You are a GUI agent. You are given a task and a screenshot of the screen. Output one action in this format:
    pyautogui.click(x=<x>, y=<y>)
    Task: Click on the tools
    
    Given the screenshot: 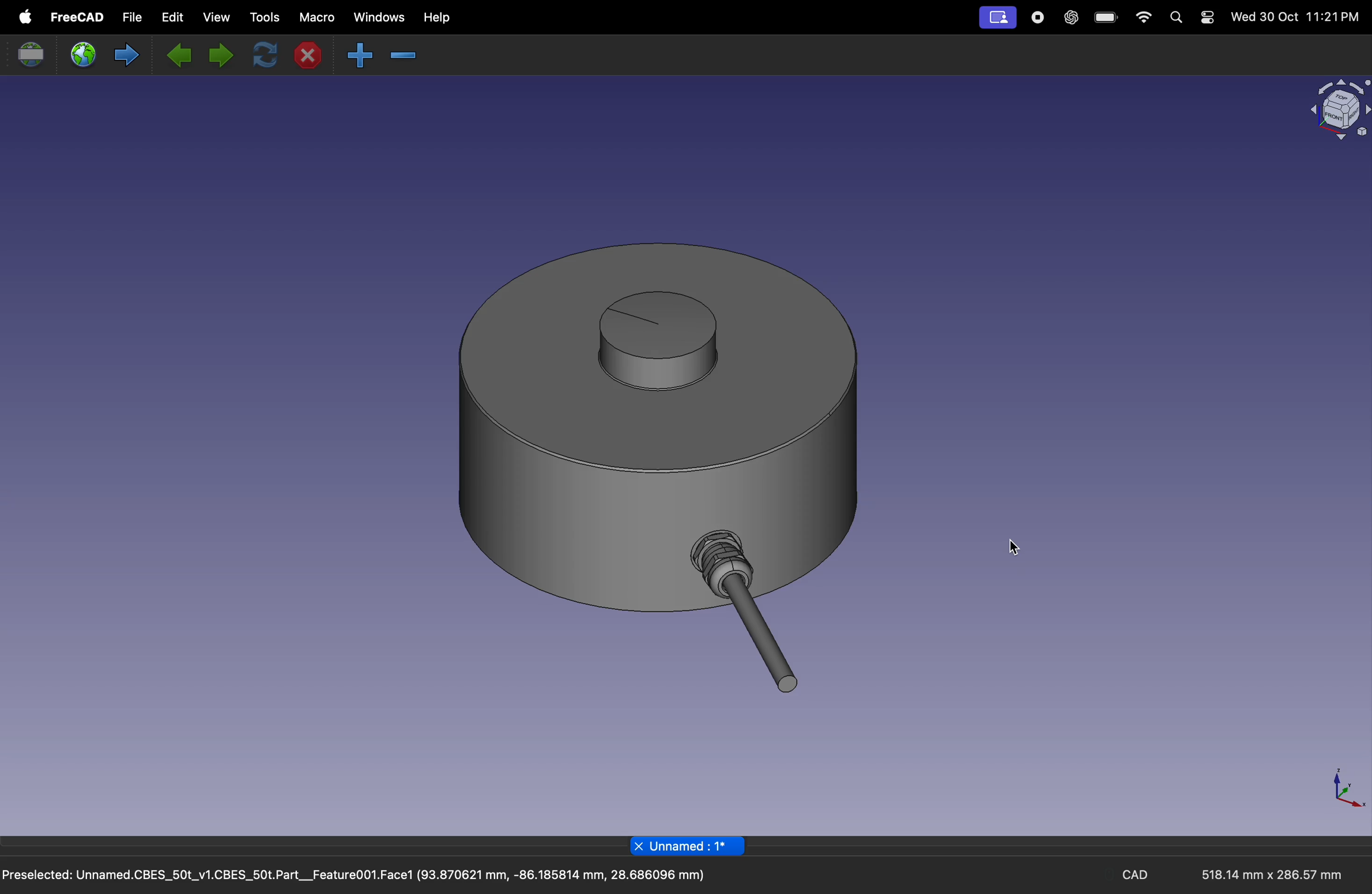 What is the action you would take?
    pyautogui.click(x=261, y=17)
    